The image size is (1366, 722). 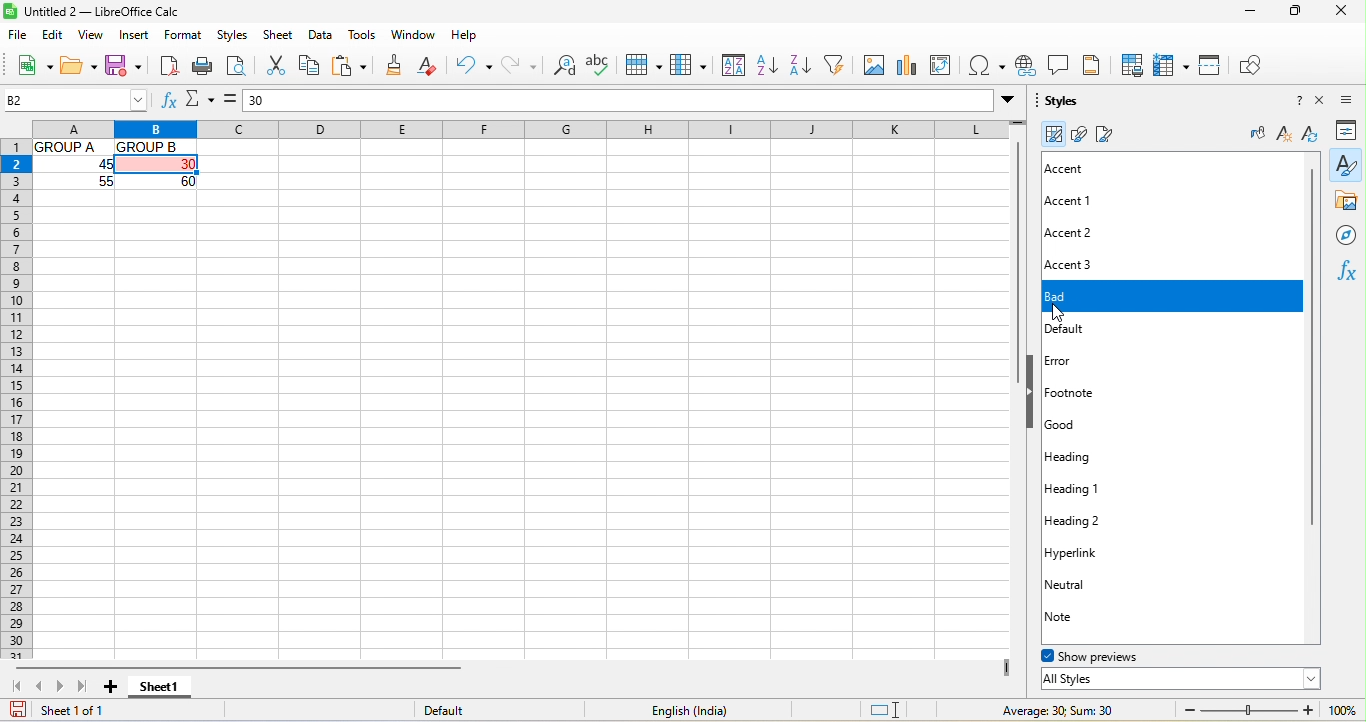 What do you see at coordinates (93, 713) in the screenshot?
I see `sheet 1 of 1` at bounding box center [93, 713].